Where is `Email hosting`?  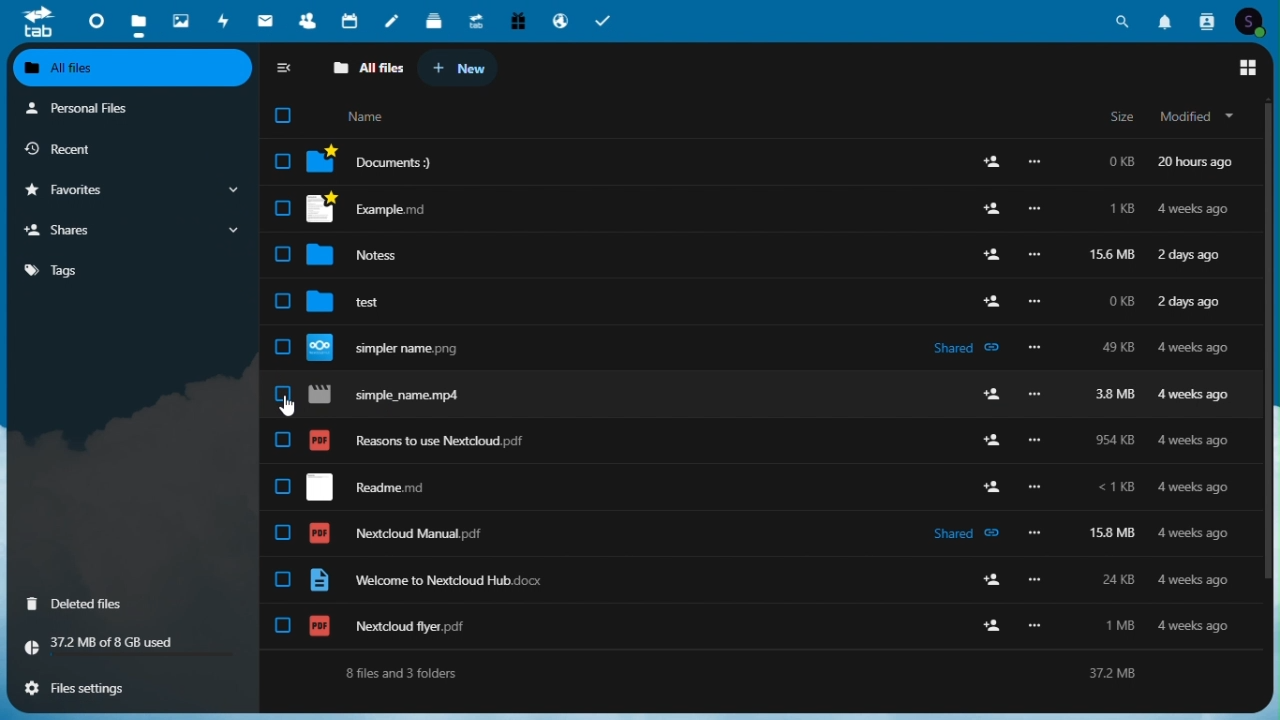
Email hosting is located at coordinates (559, 20).